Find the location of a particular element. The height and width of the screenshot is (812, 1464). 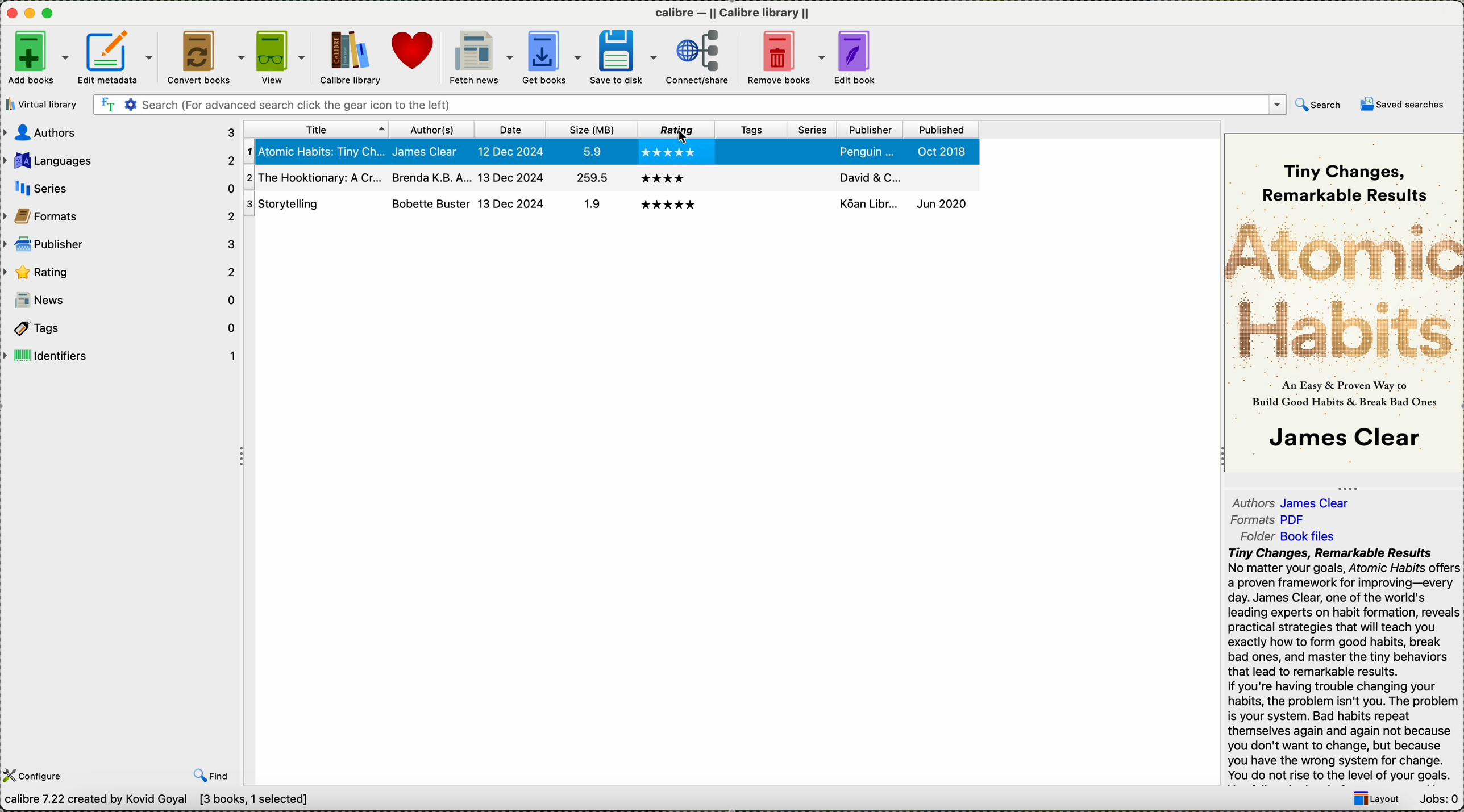

James Clear is located at coordinates (1321, 502).